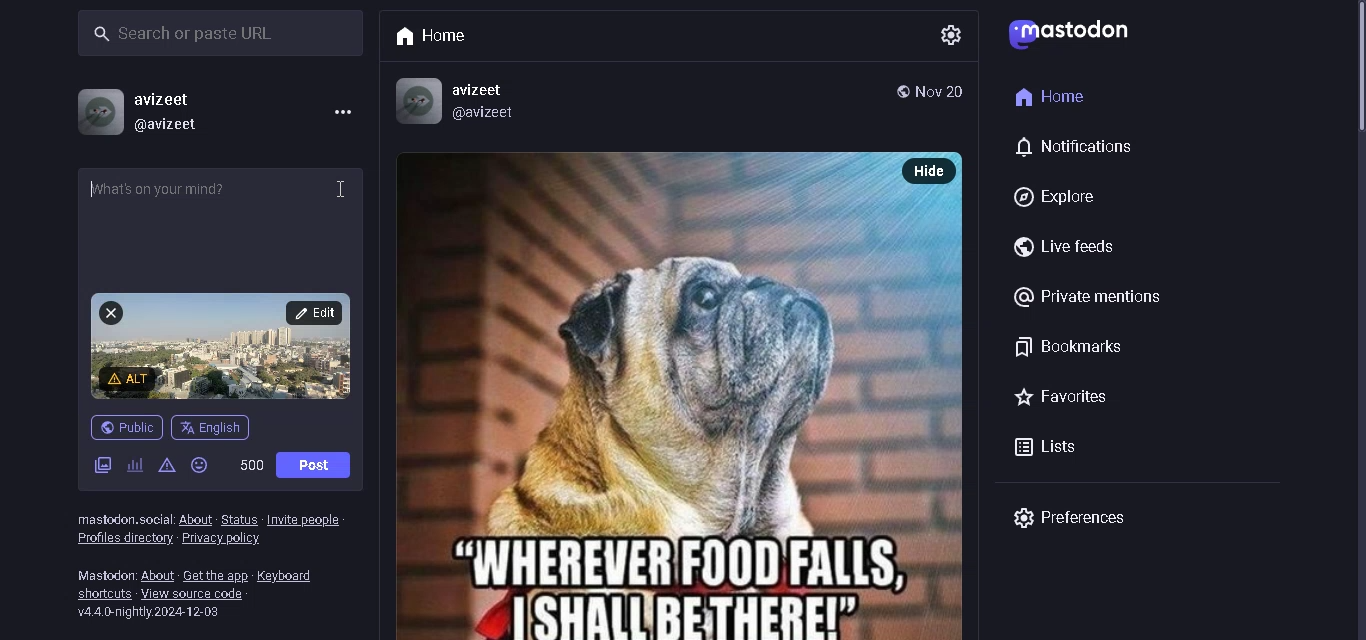 Image resolution: width=1366 pixels, height=640 pixels. Describe the element at coordinates (156, 576) in the screenshot. I see `about` at that location.